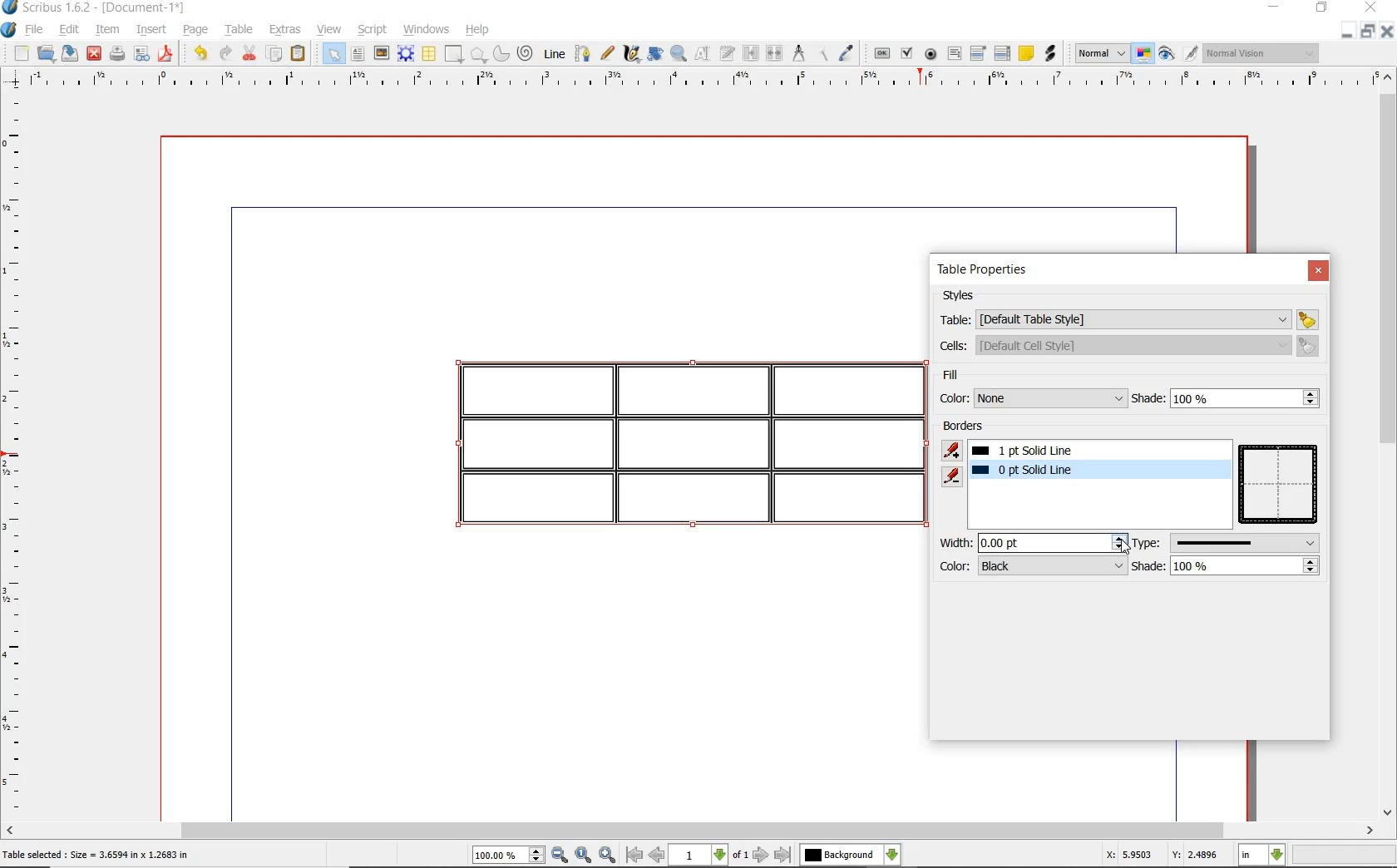 The image size is (1397, 868). Describe the element at coordinates (44, 52) in the screenshot. I see `open` at that location.